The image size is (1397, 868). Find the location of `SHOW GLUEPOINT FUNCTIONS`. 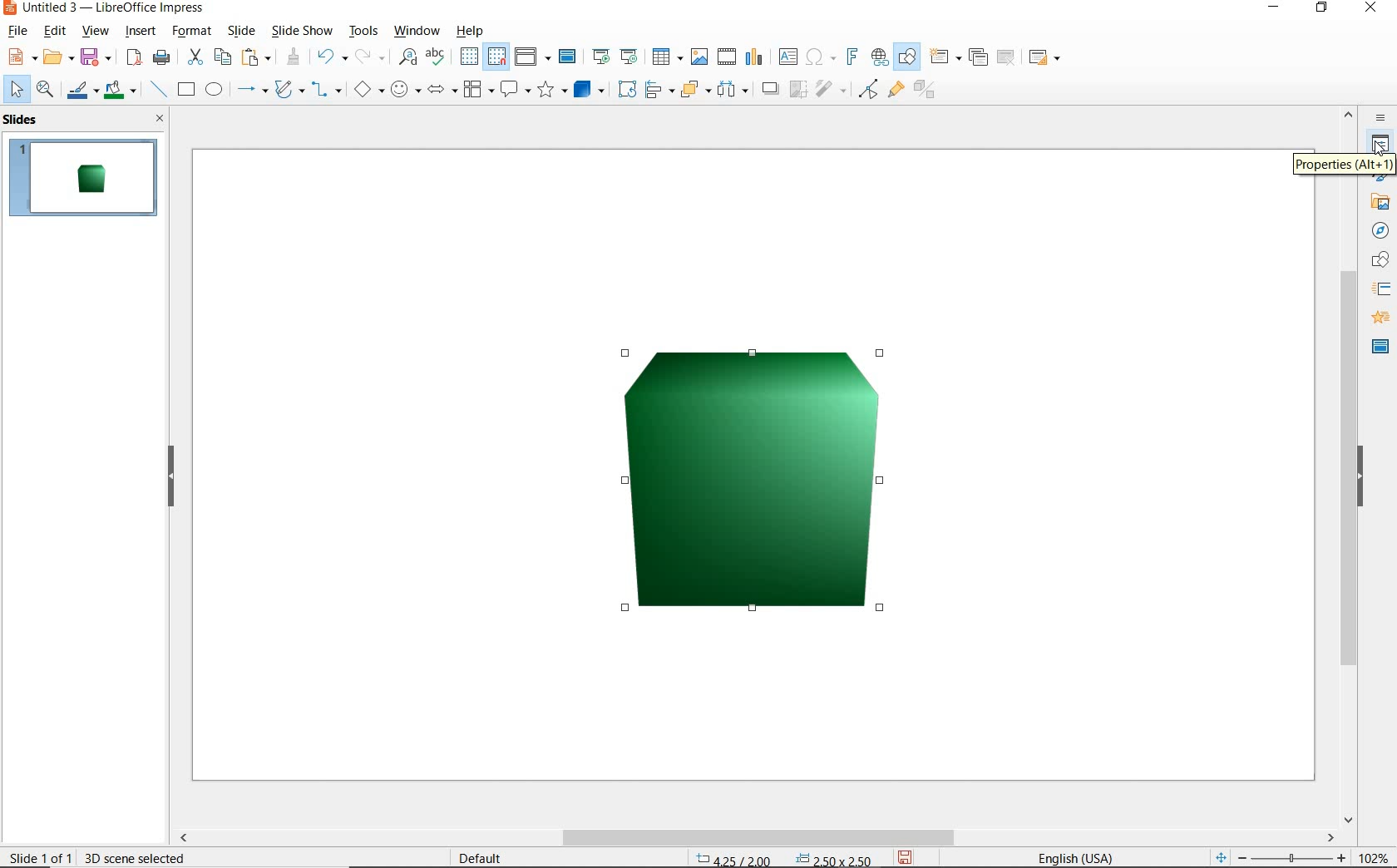

SHOW GLUEPOINT FUNCTIONS is located at coordinates (896, 91).